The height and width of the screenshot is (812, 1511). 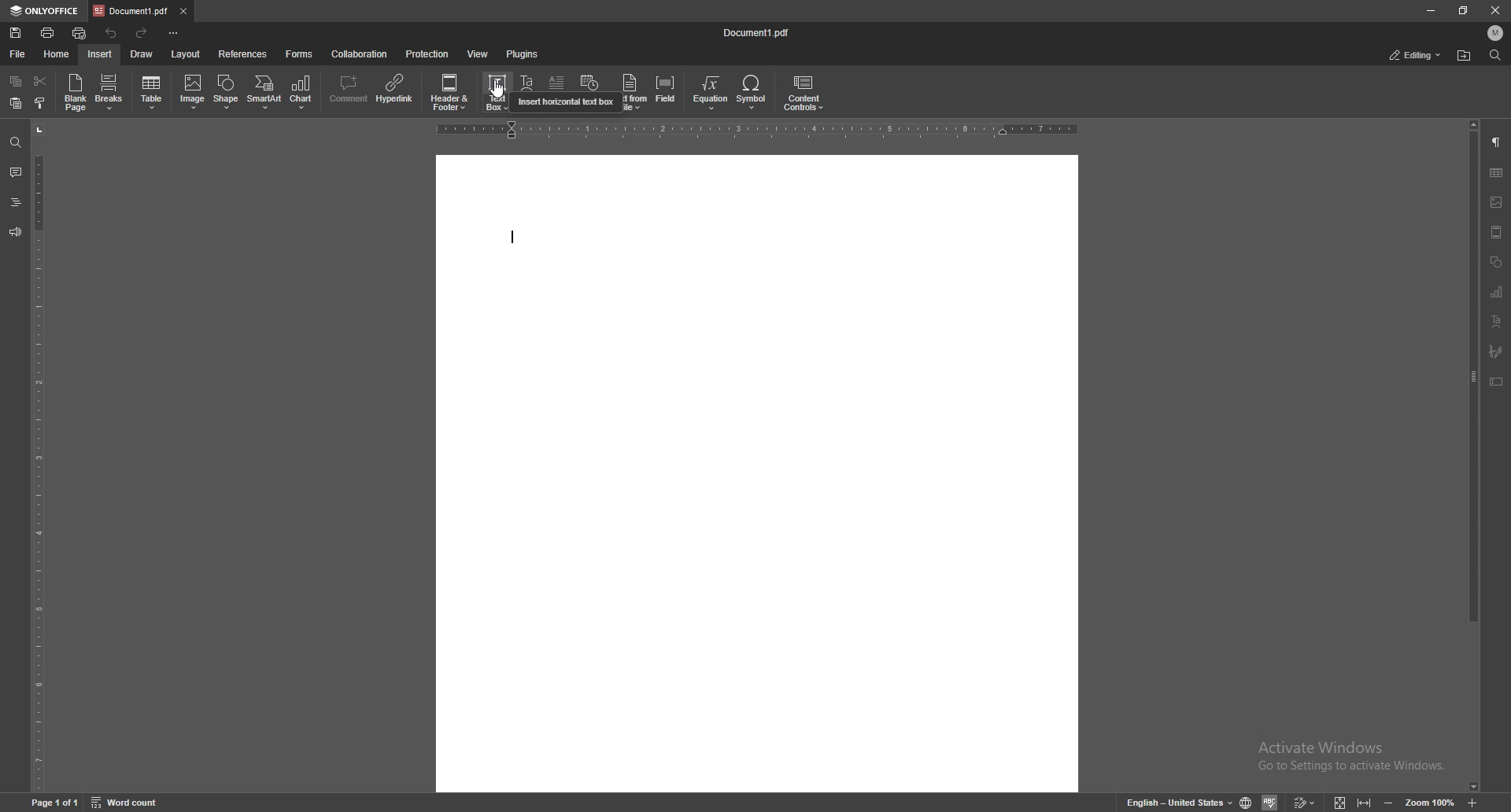 What do you see at coordinates (803, 94) in the screenshot?
I see `content controls` at bounding box center [803, 94].